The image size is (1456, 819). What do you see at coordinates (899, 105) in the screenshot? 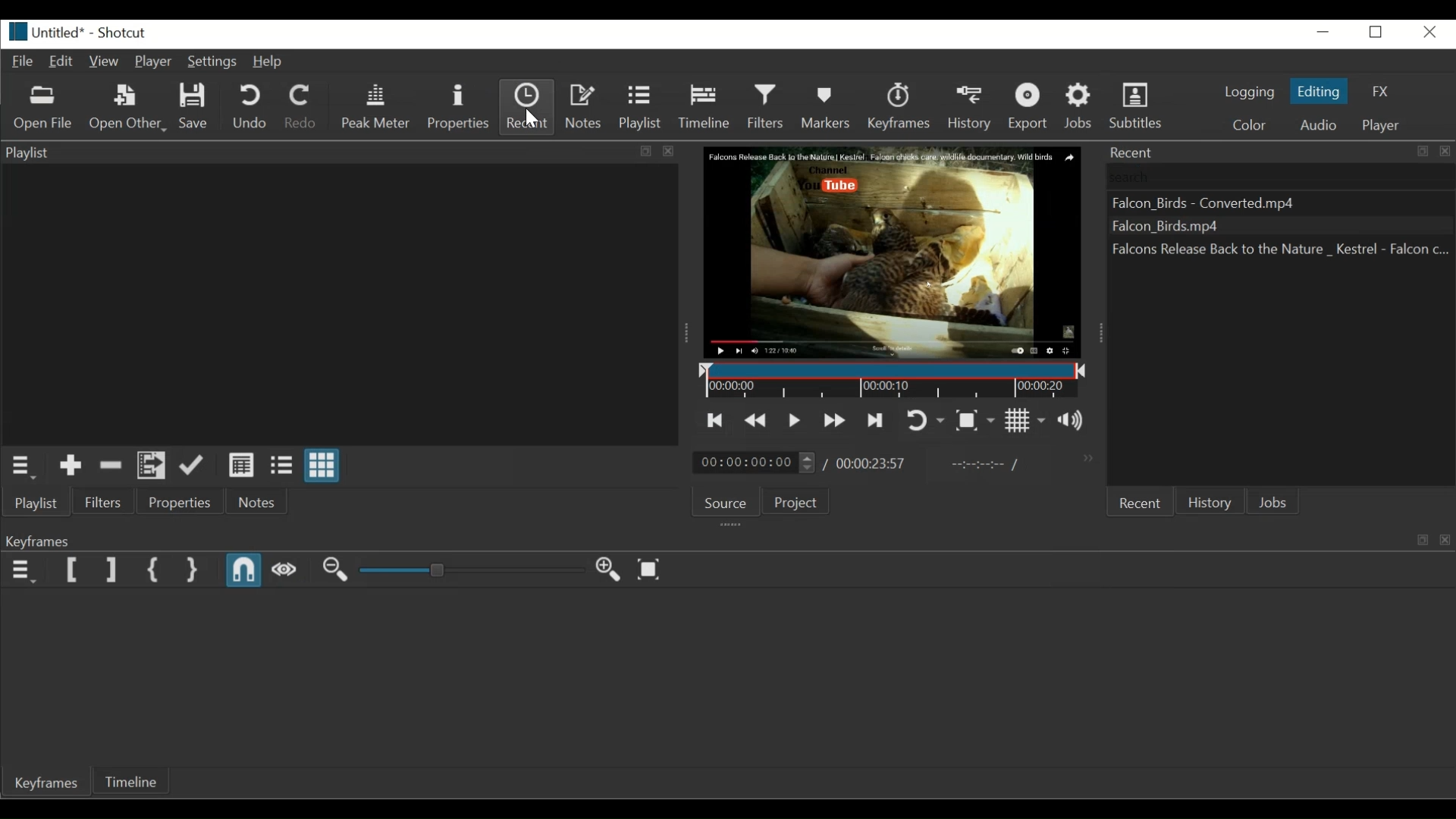
I see `Keyframes` at bounding box center [899, 105].